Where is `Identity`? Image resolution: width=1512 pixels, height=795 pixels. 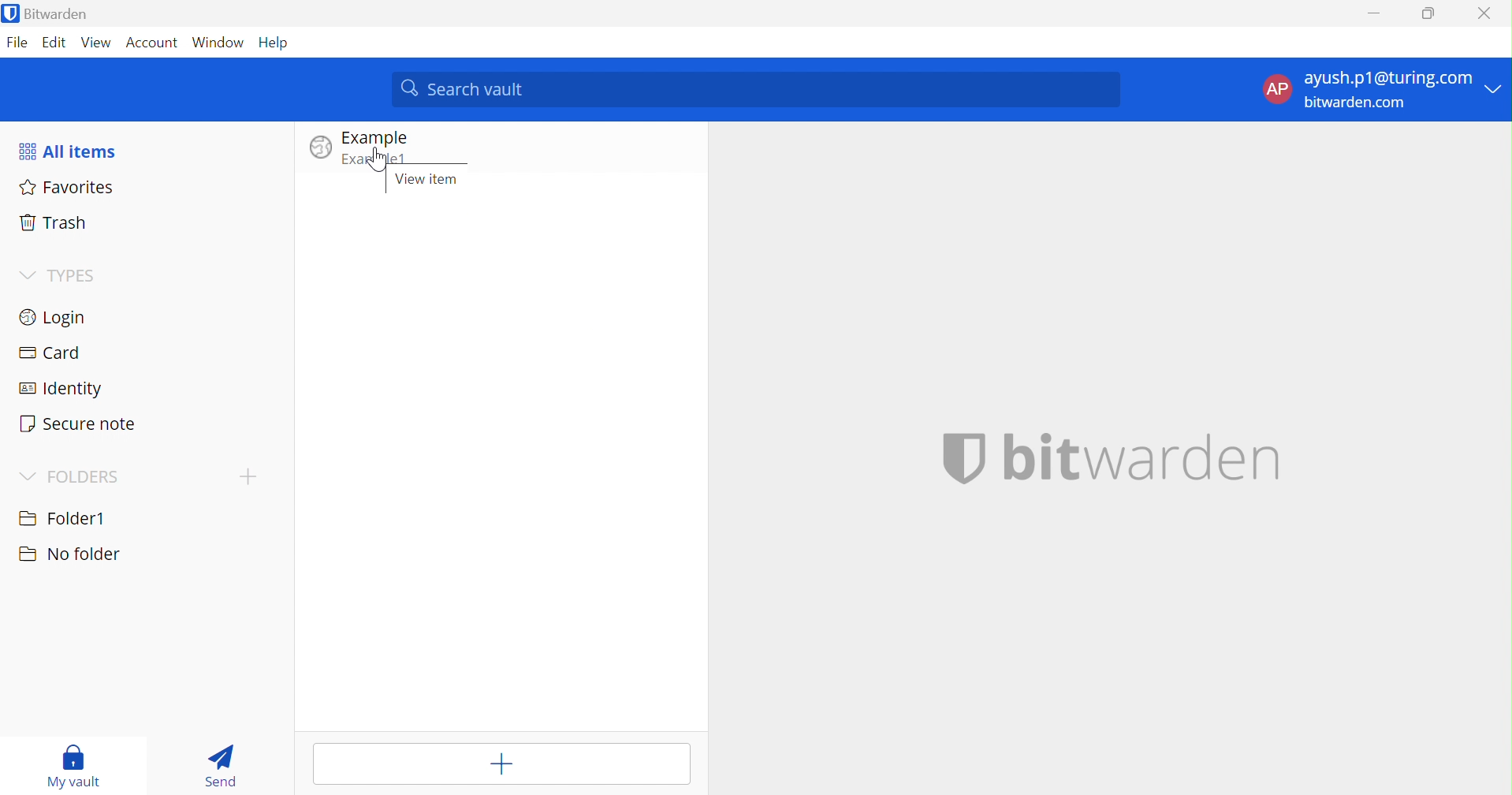
Identity is located at coordinates (62, 390).